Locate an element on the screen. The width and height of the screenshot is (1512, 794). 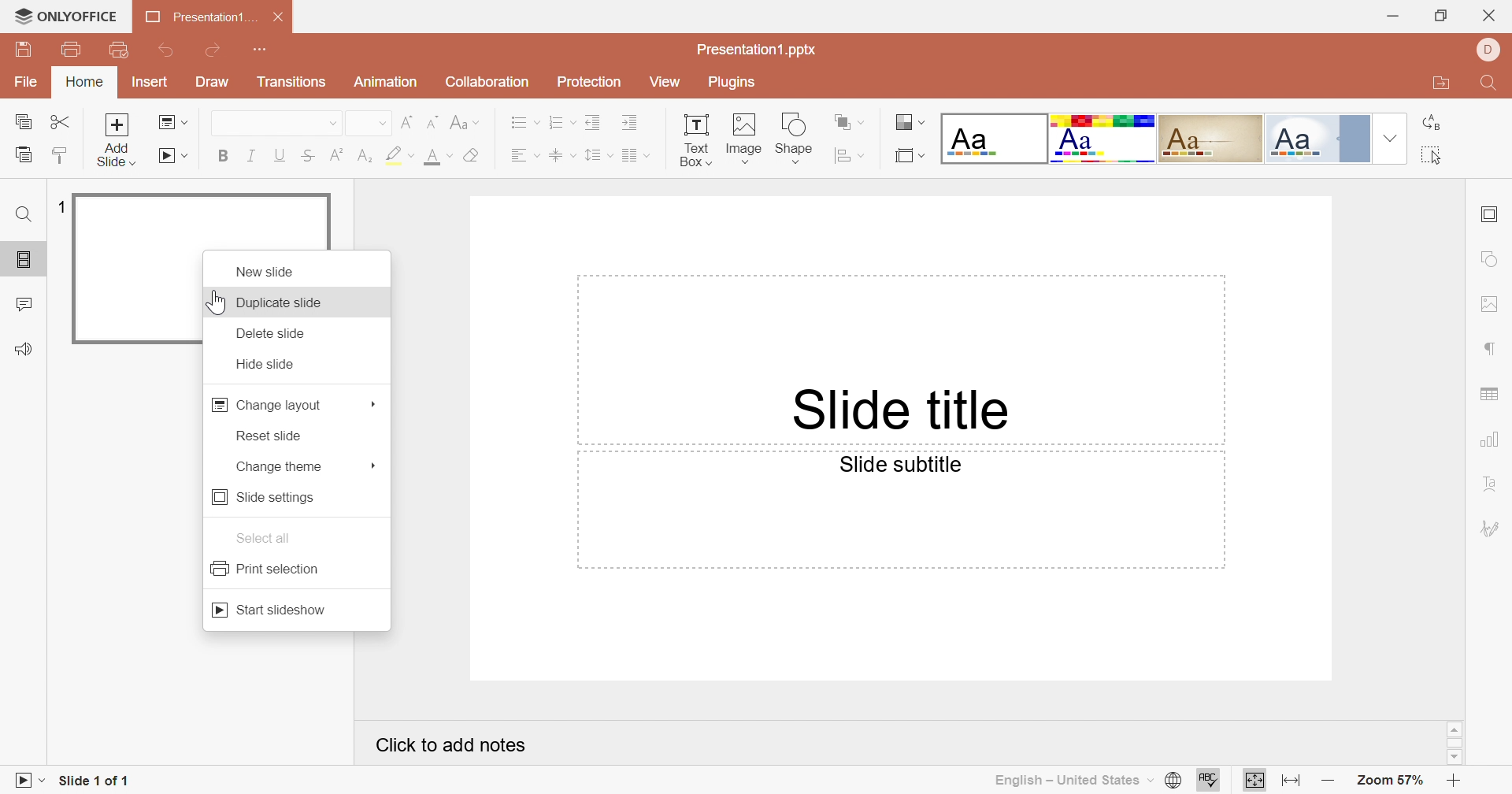
Align Middle is located at coordinates (563, 154).